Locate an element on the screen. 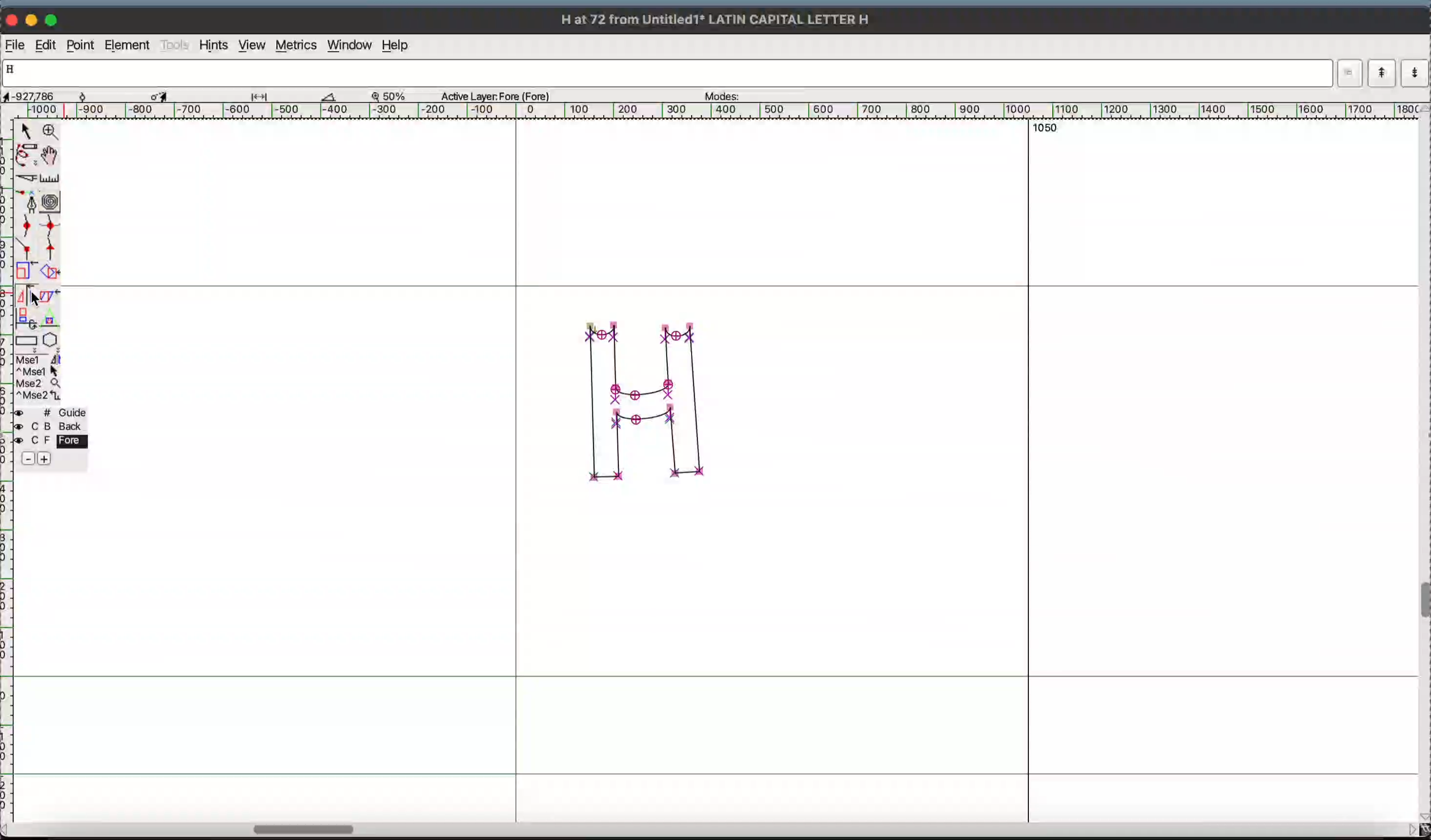  pan is located at coordinates (53, 155).